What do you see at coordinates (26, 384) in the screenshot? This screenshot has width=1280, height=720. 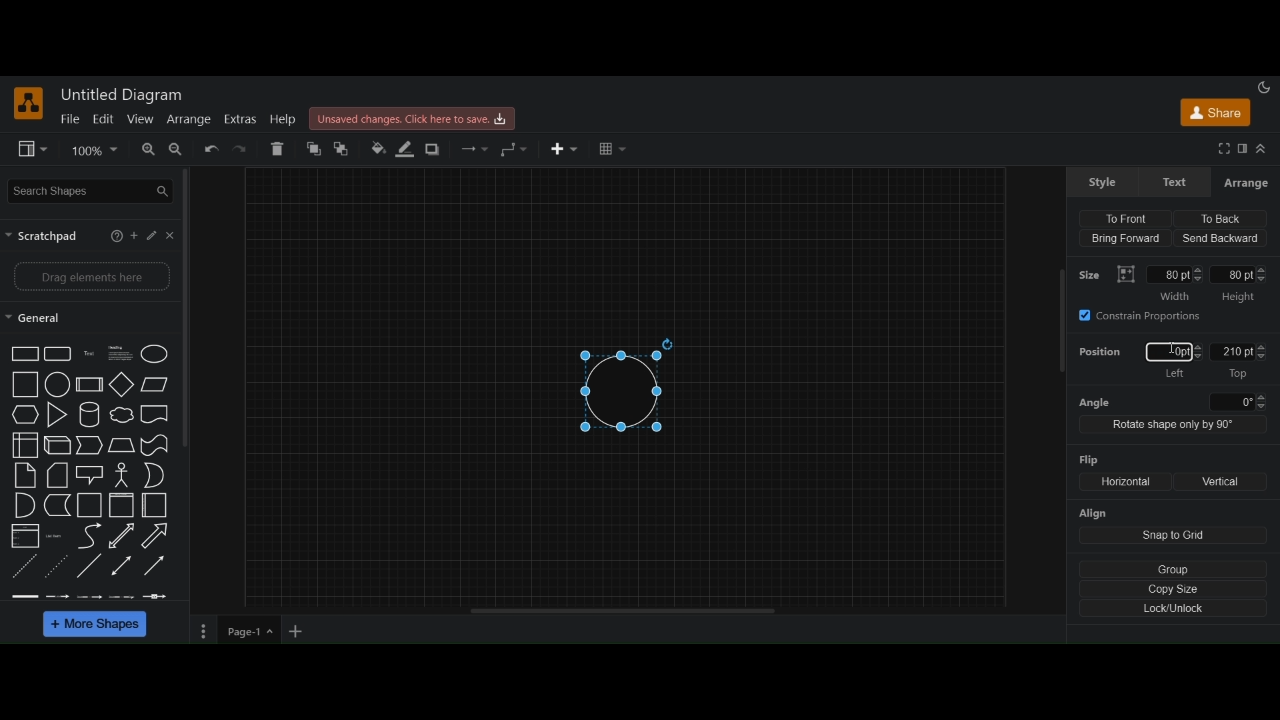 I see `Square` at bounding box center [26, 384].